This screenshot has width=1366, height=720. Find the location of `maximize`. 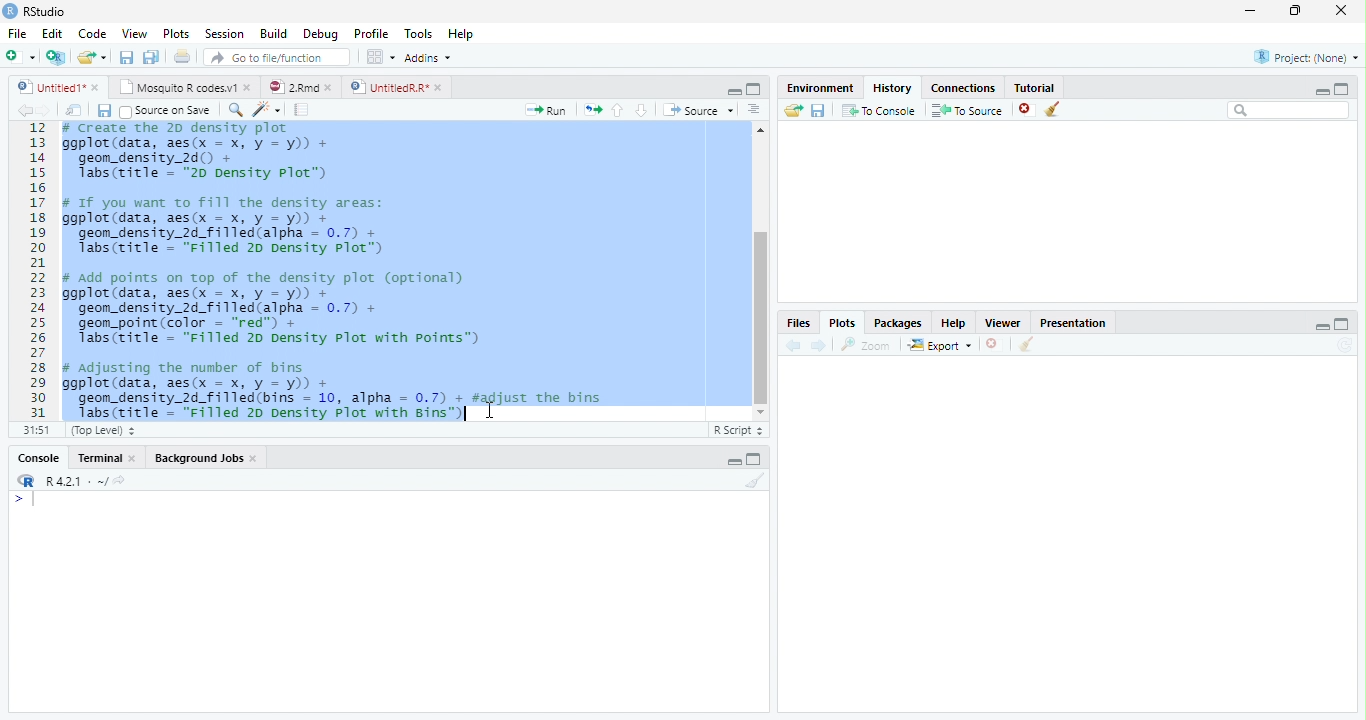

maximize is located at coordinates (754, 88).